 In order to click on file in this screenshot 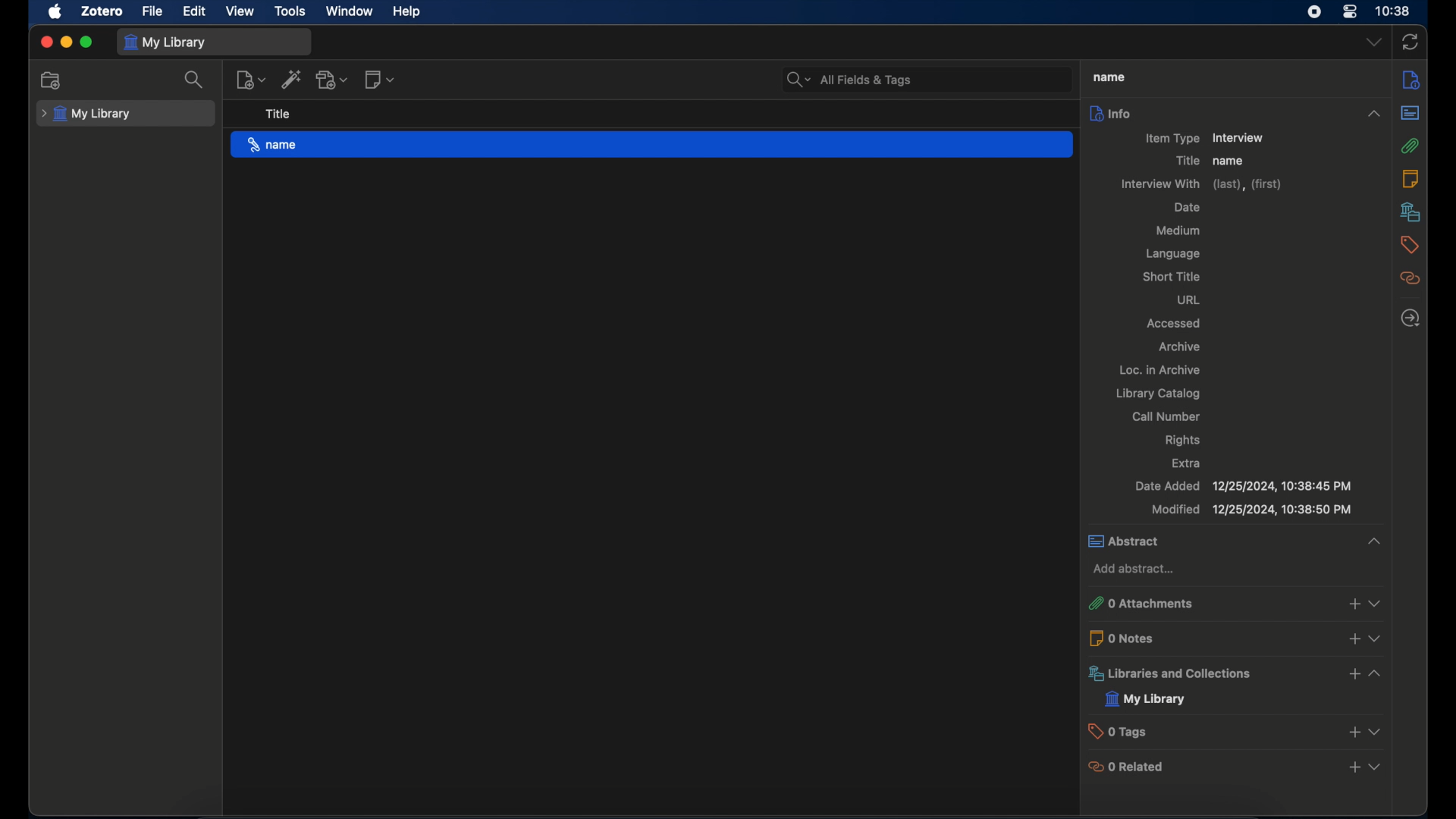, I will do `click(153, 12)`.